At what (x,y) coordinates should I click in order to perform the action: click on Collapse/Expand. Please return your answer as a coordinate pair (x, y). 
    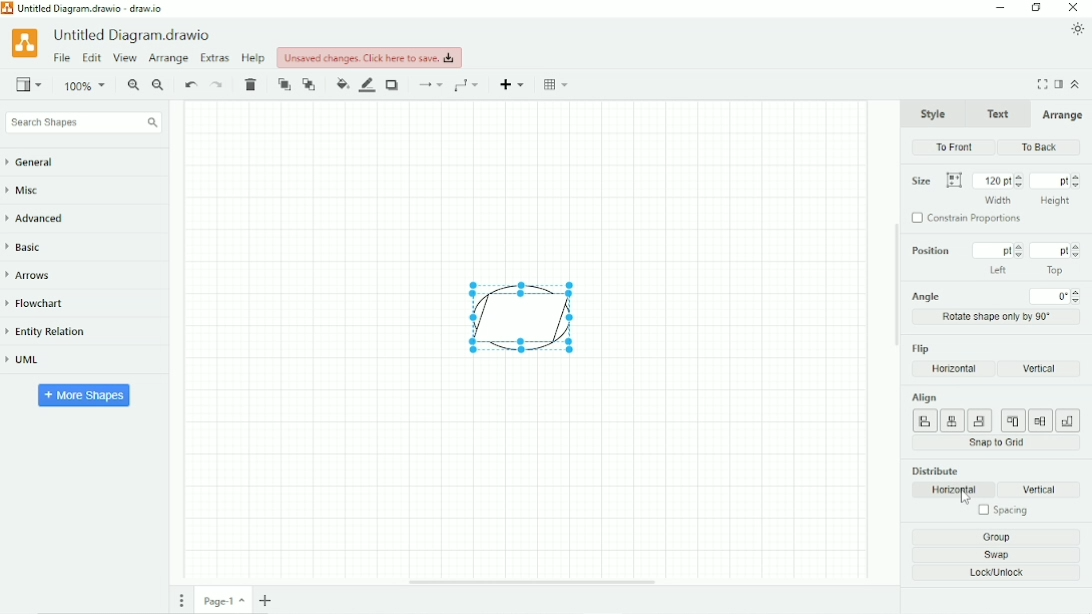
    Looking at the image, I should click on (1076, 83).